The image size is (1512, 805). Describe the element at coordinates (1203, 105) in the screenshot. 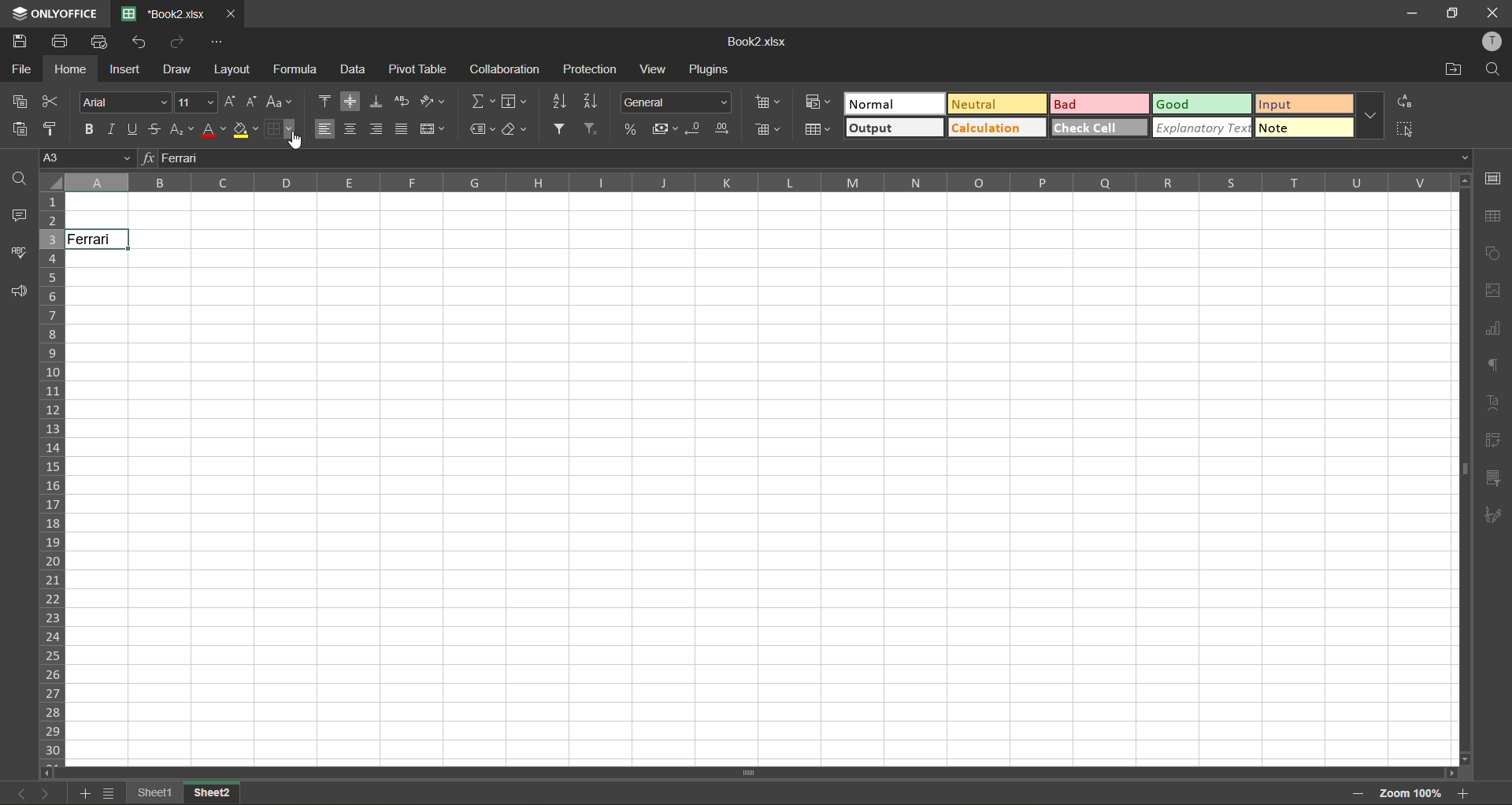

I see `good` at that location.